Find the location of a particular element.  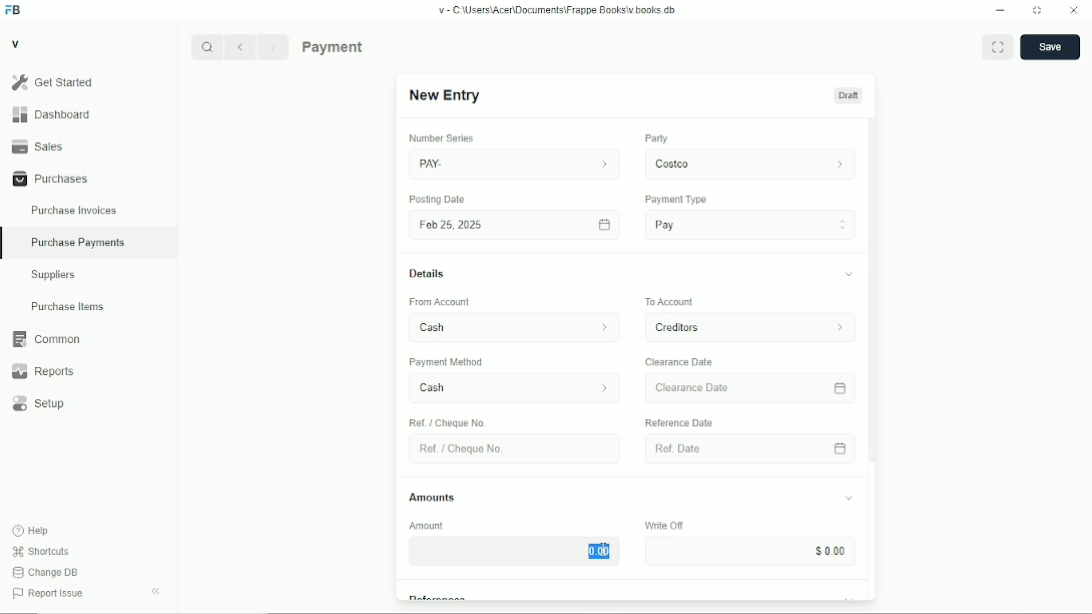

Payment Type is located at coordinates (676, 199).